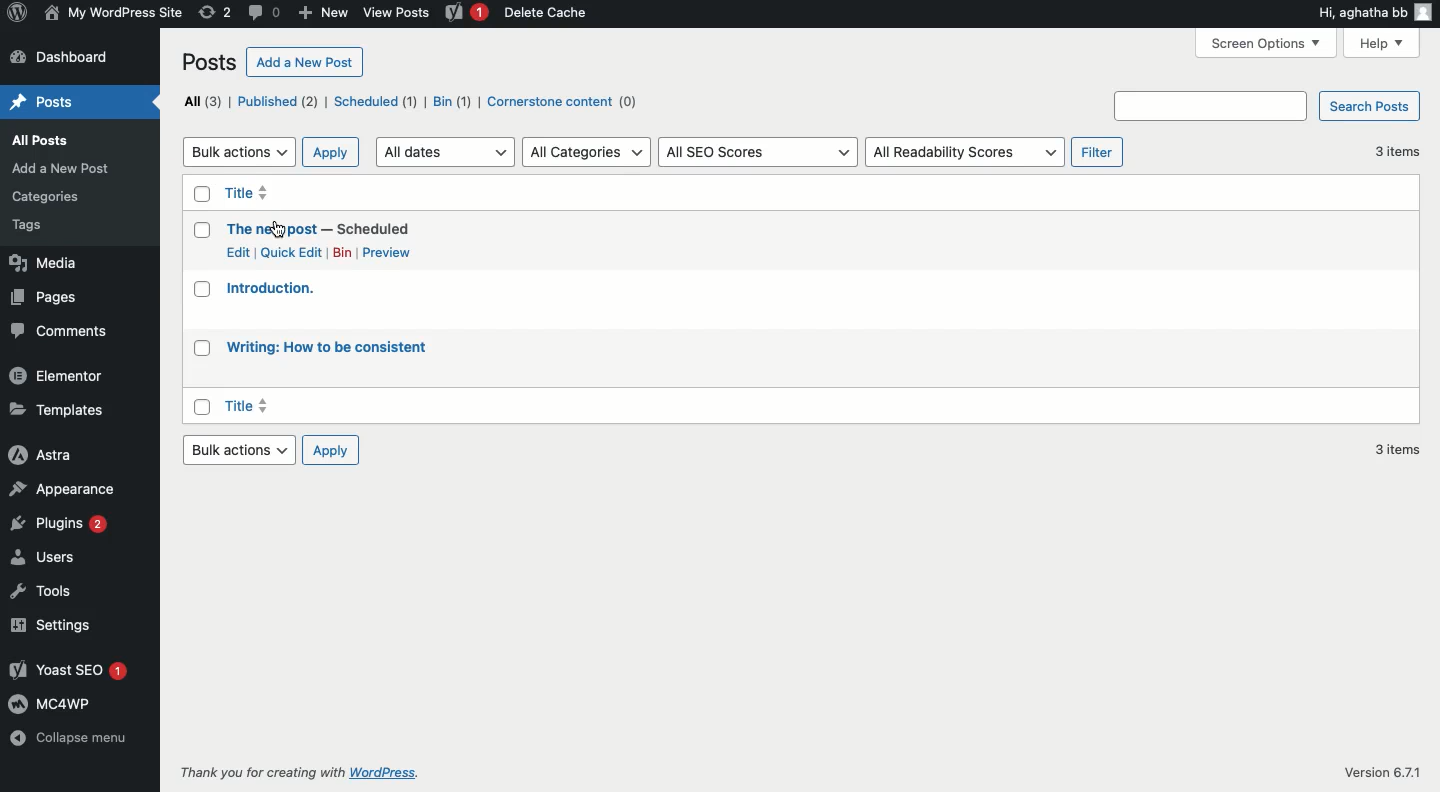  Describe the element at coordinates (278, 230) in the screenshot. I see `cursor` at that location.